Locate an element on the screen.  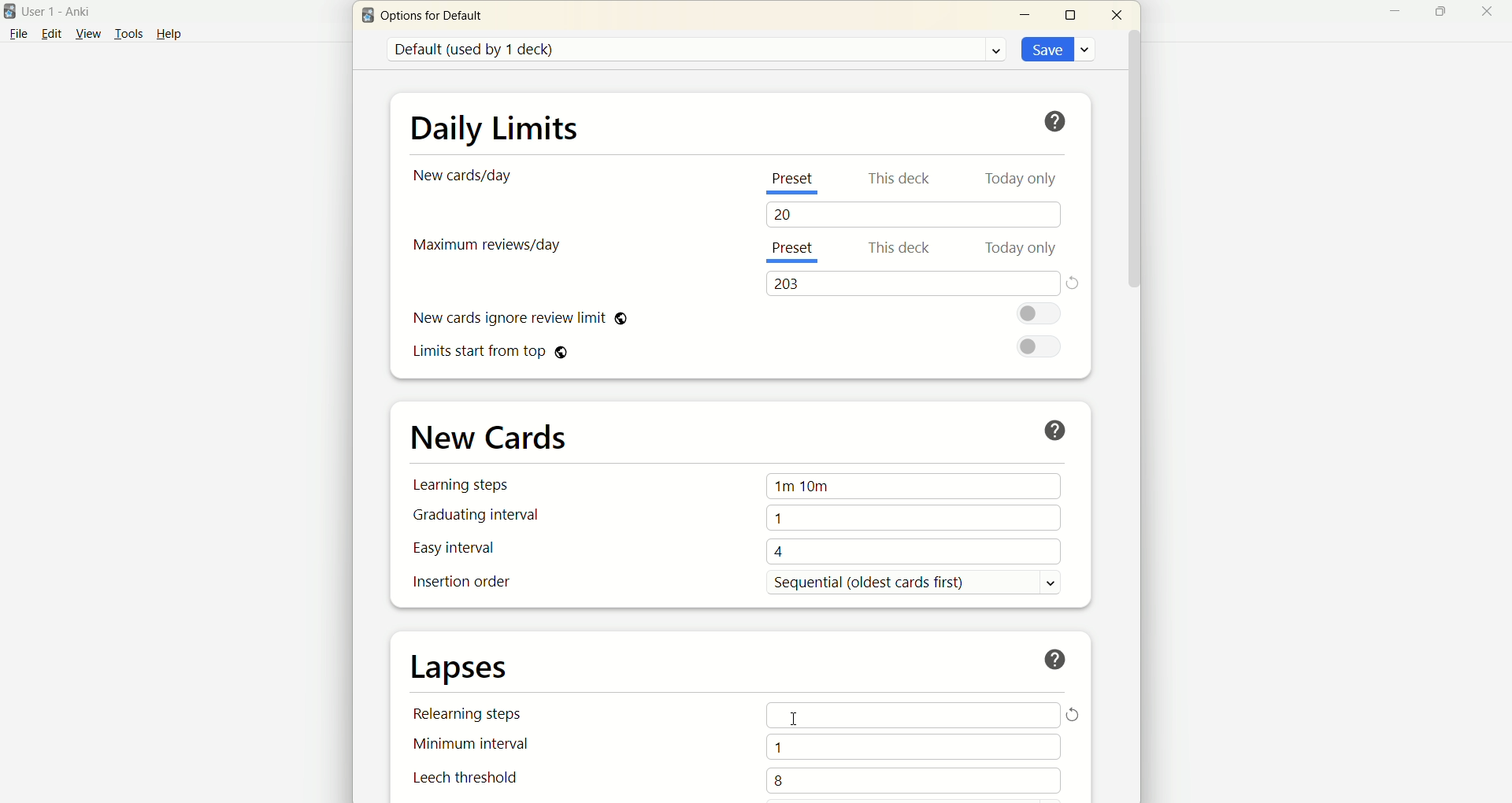
this deck is located at coordinates (897, 178).